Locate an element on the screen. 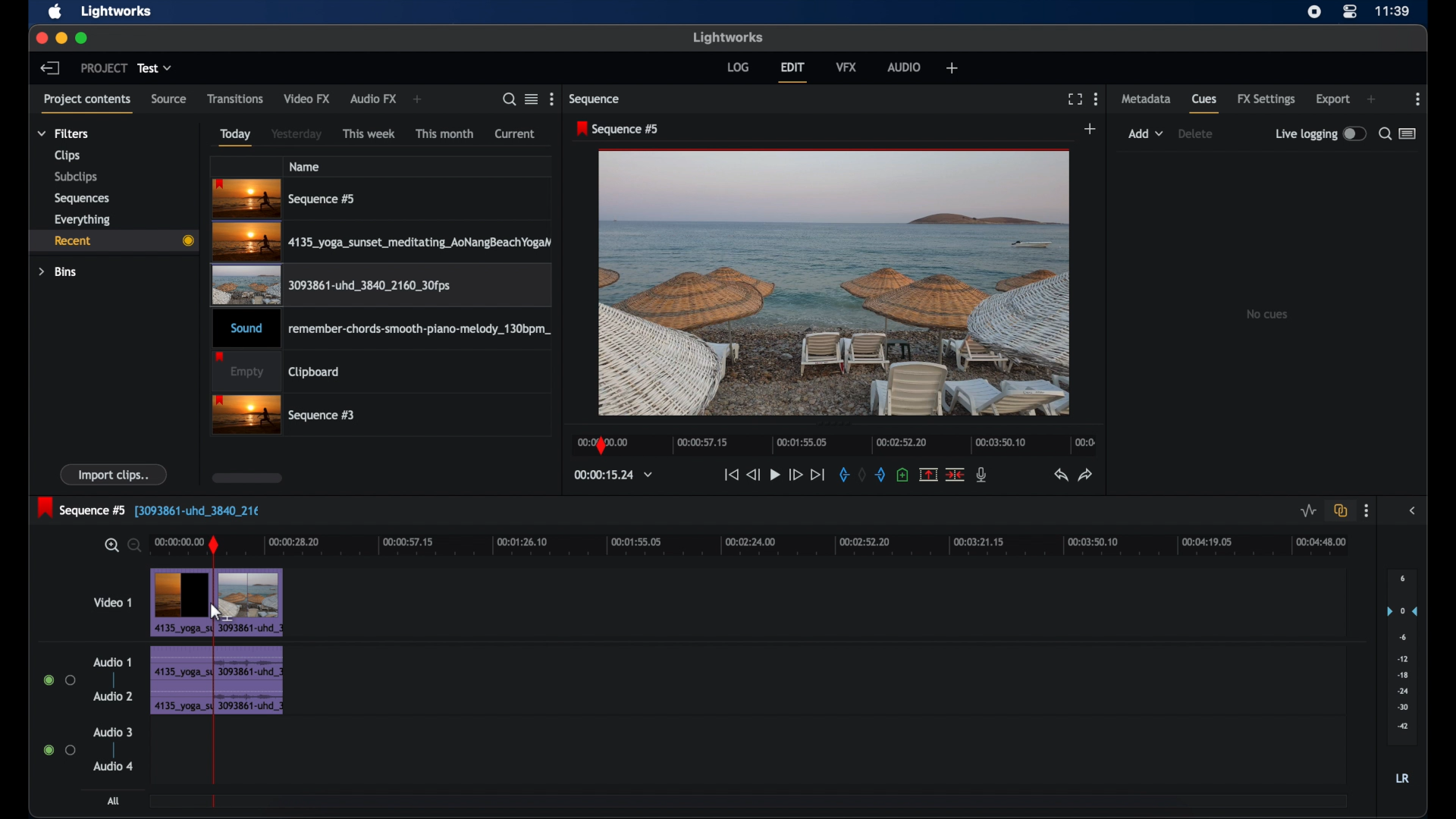 This screenshot has width=1456, height=819. clear marks is located at coordinates (861, 474).